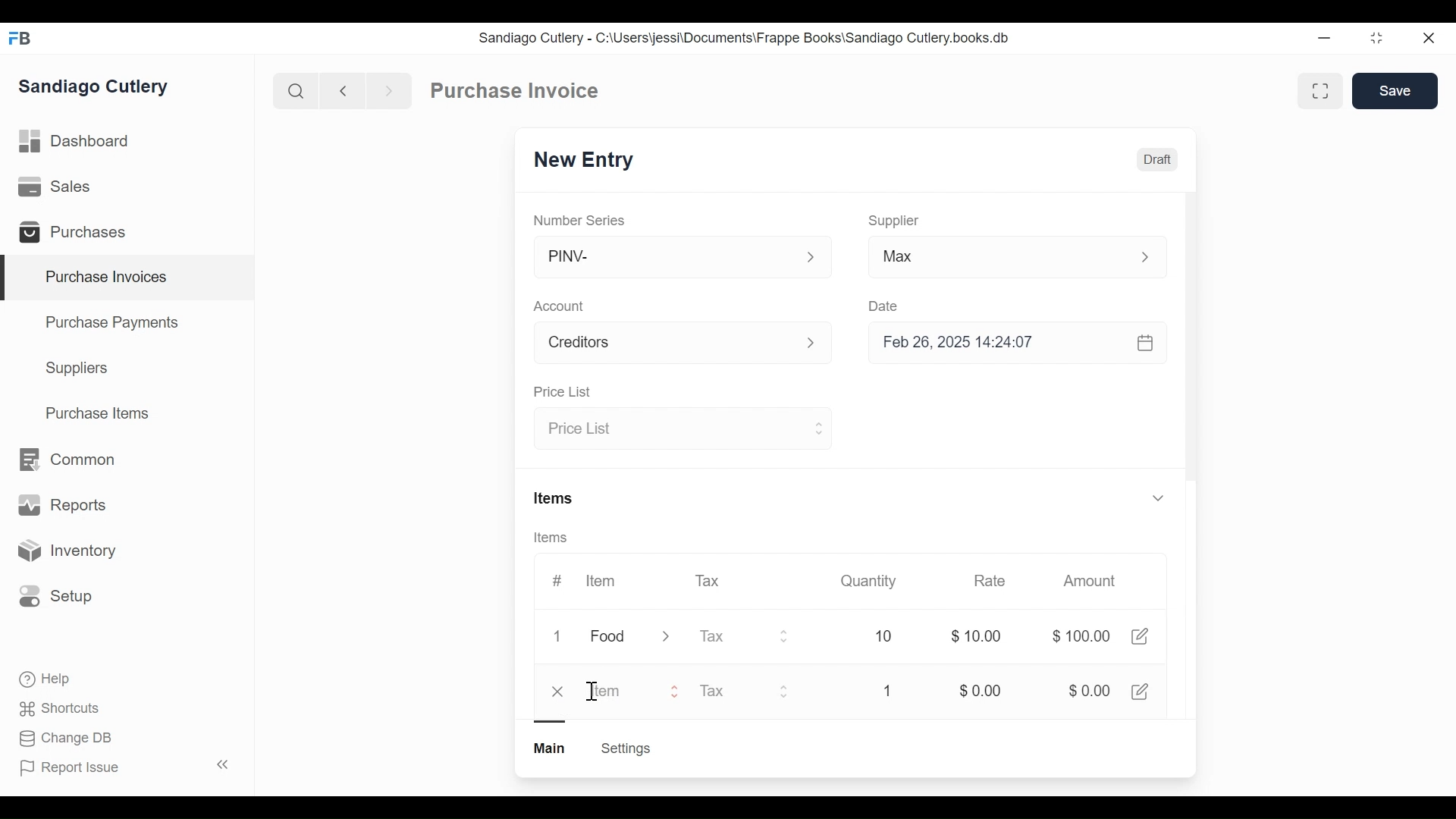 The image size is (1456, 819). Describe the element at coordinates (124, 767) in the screenshot. I see `Report Issue` at that location.